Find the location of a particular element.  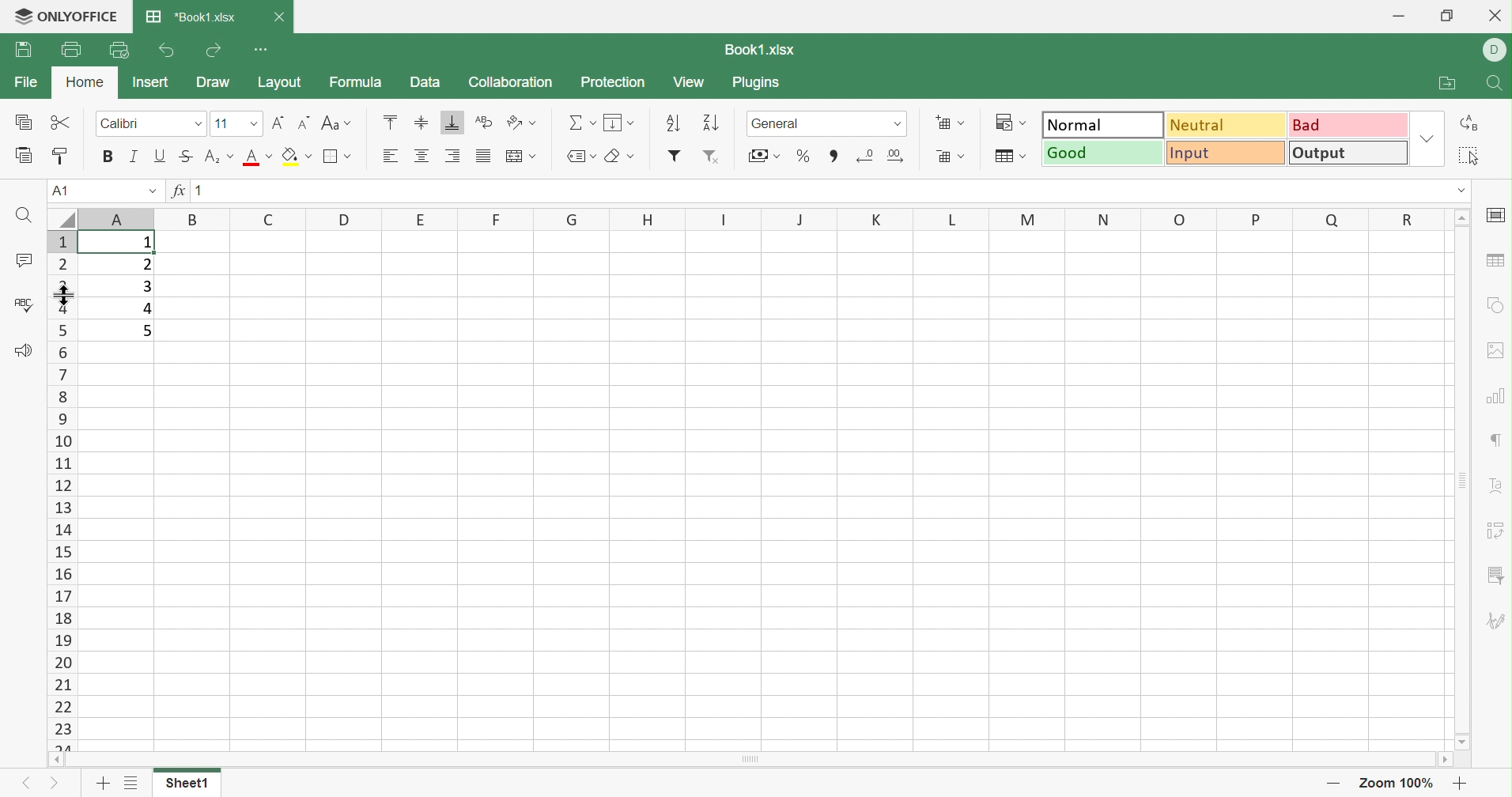

Drop Down is located at coordinates (309, 156).